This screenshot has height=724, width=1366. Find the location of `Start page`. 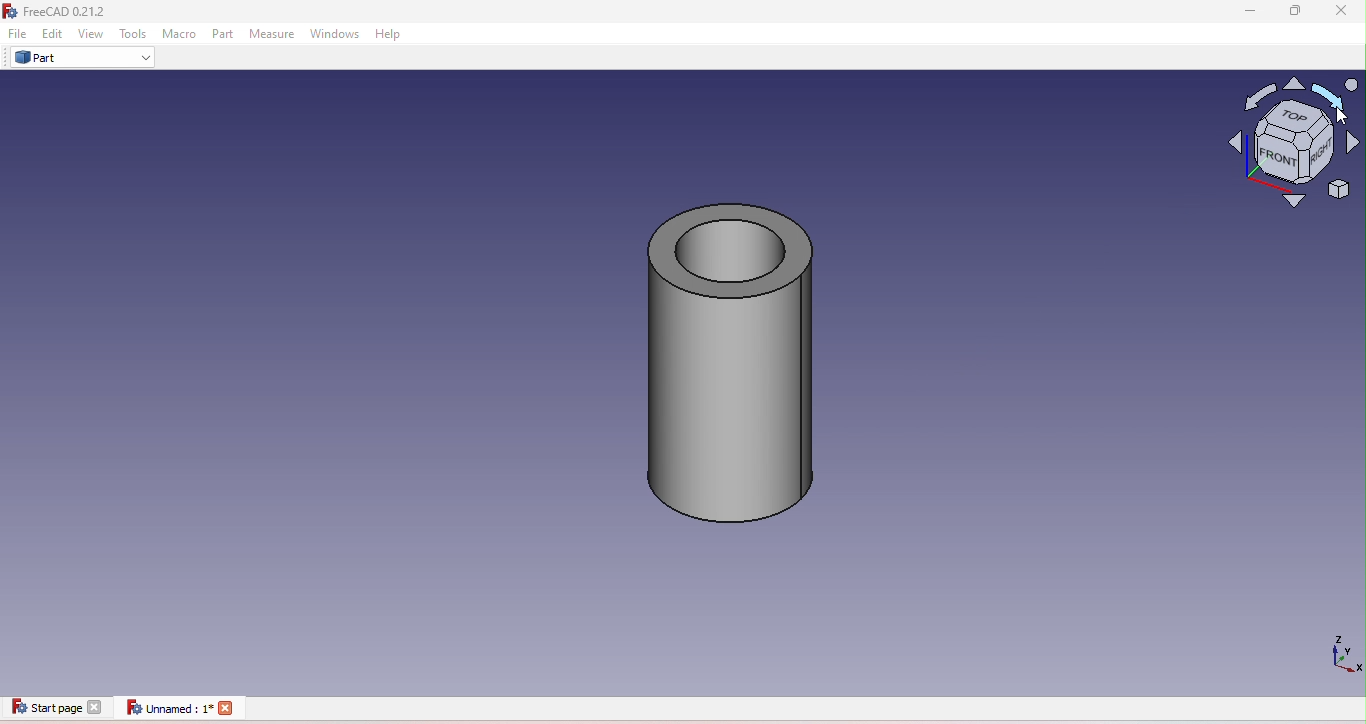

Start page is located at coordinates (56, 709).